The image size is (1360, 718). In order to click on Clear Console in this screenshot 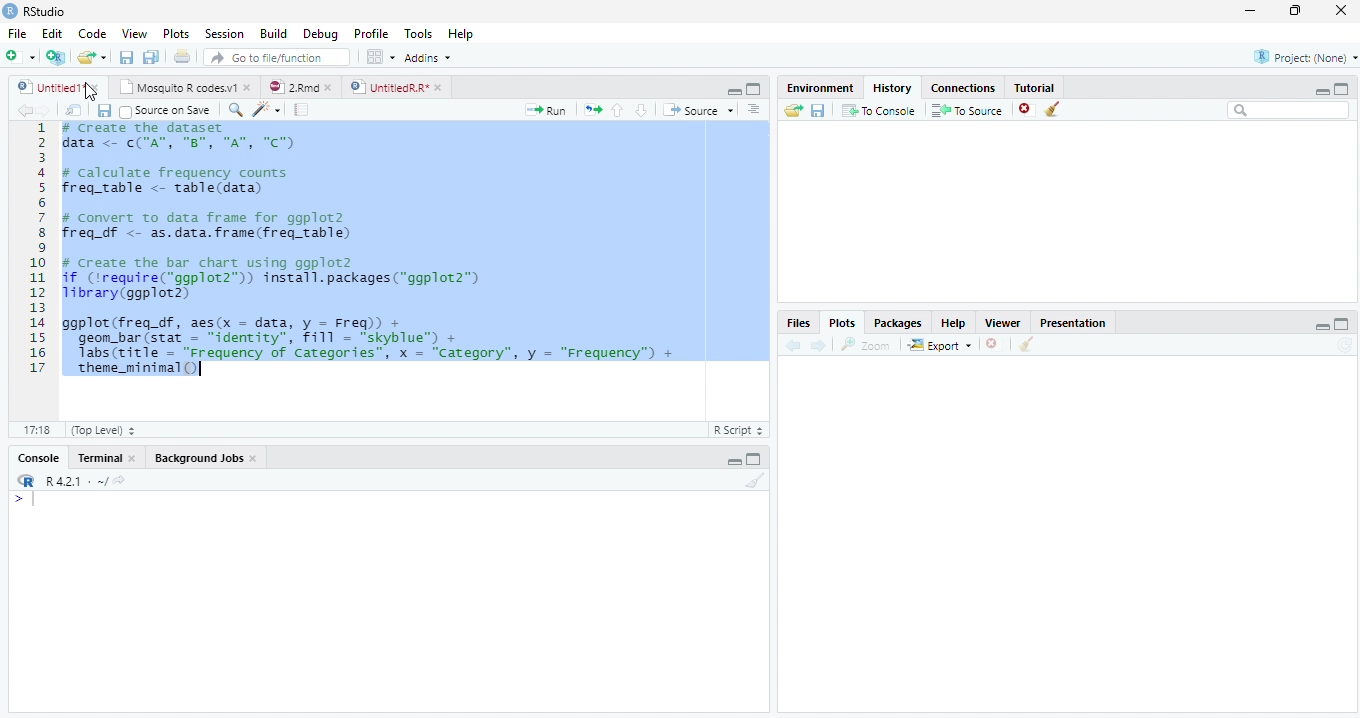, I will do `click(1027, 344)`.